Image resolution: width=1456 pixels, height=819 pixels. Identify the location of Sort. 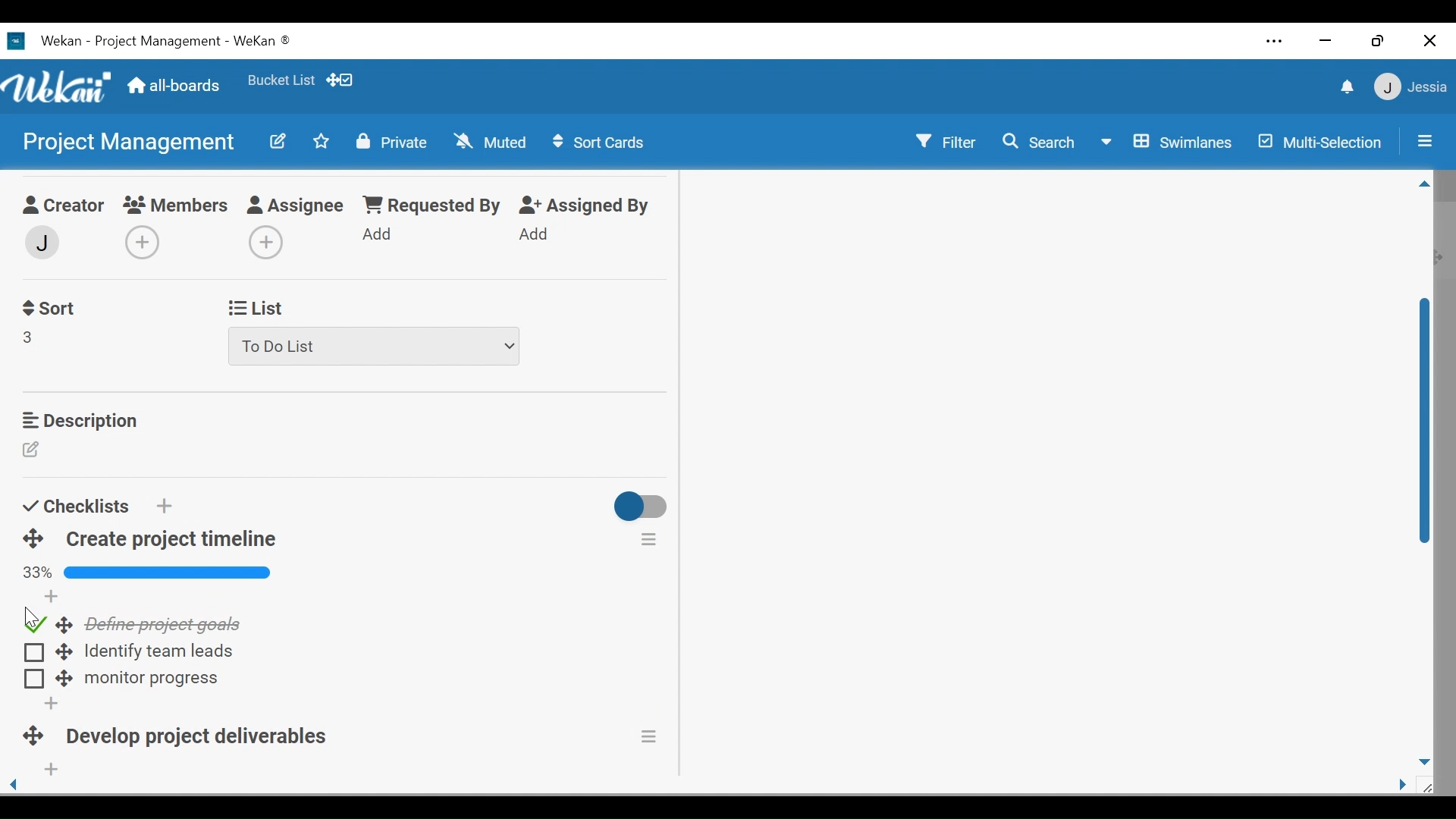
(48, 309).